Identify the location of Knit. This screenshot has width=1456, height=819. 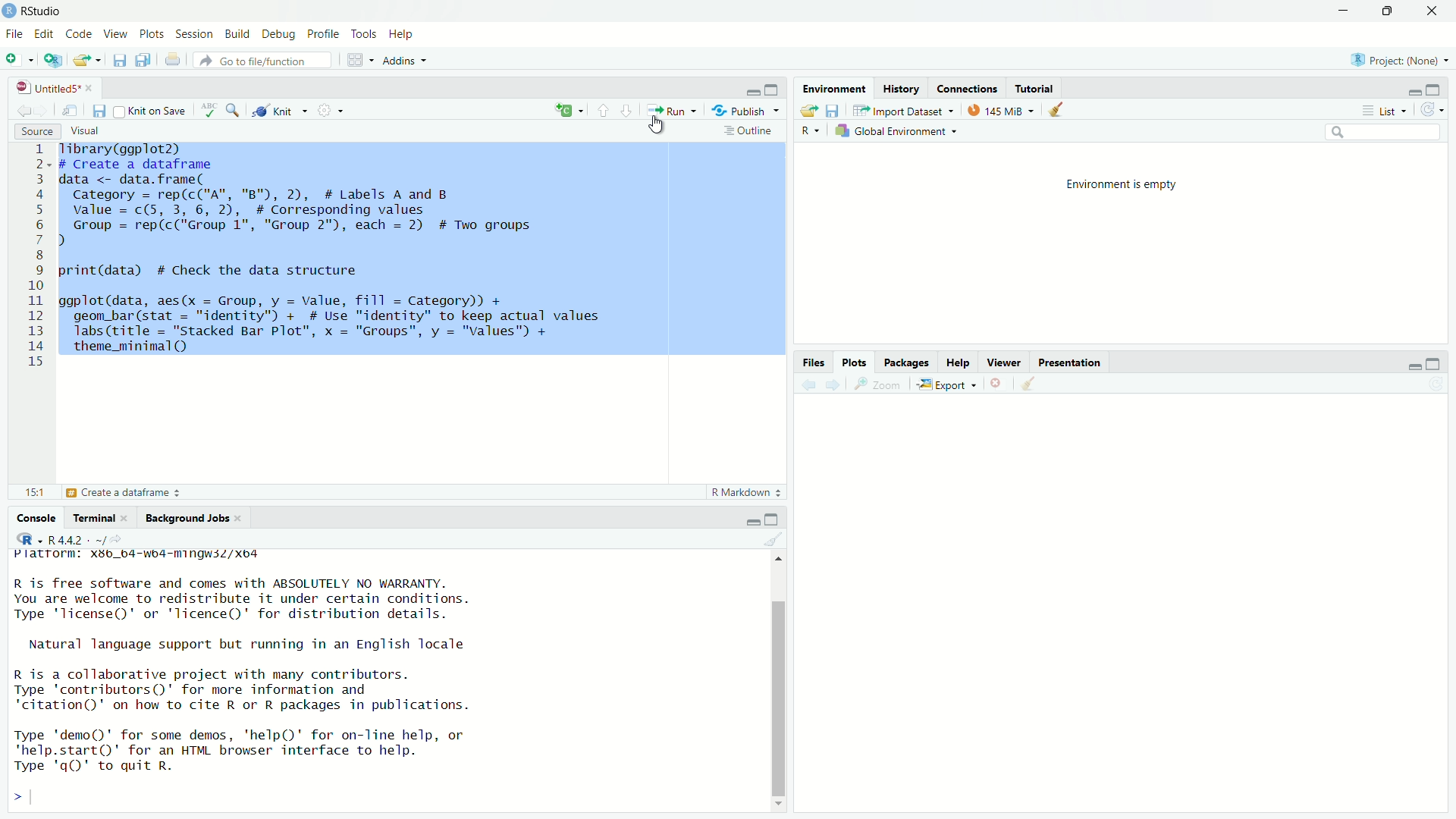
(278, 108).